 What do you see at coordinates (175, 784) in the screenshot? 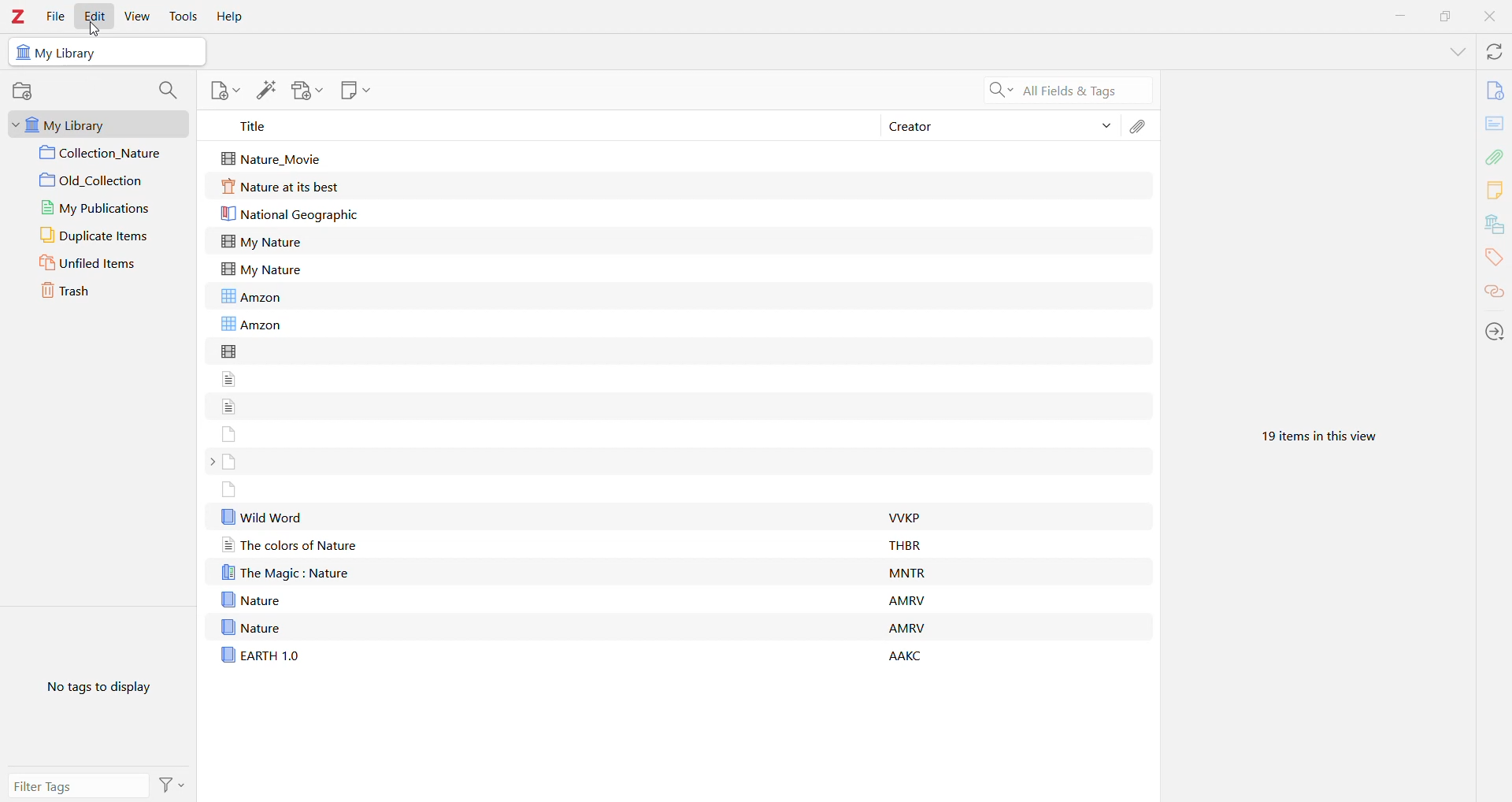
I see `Actions` at bounding box center [175, 784].